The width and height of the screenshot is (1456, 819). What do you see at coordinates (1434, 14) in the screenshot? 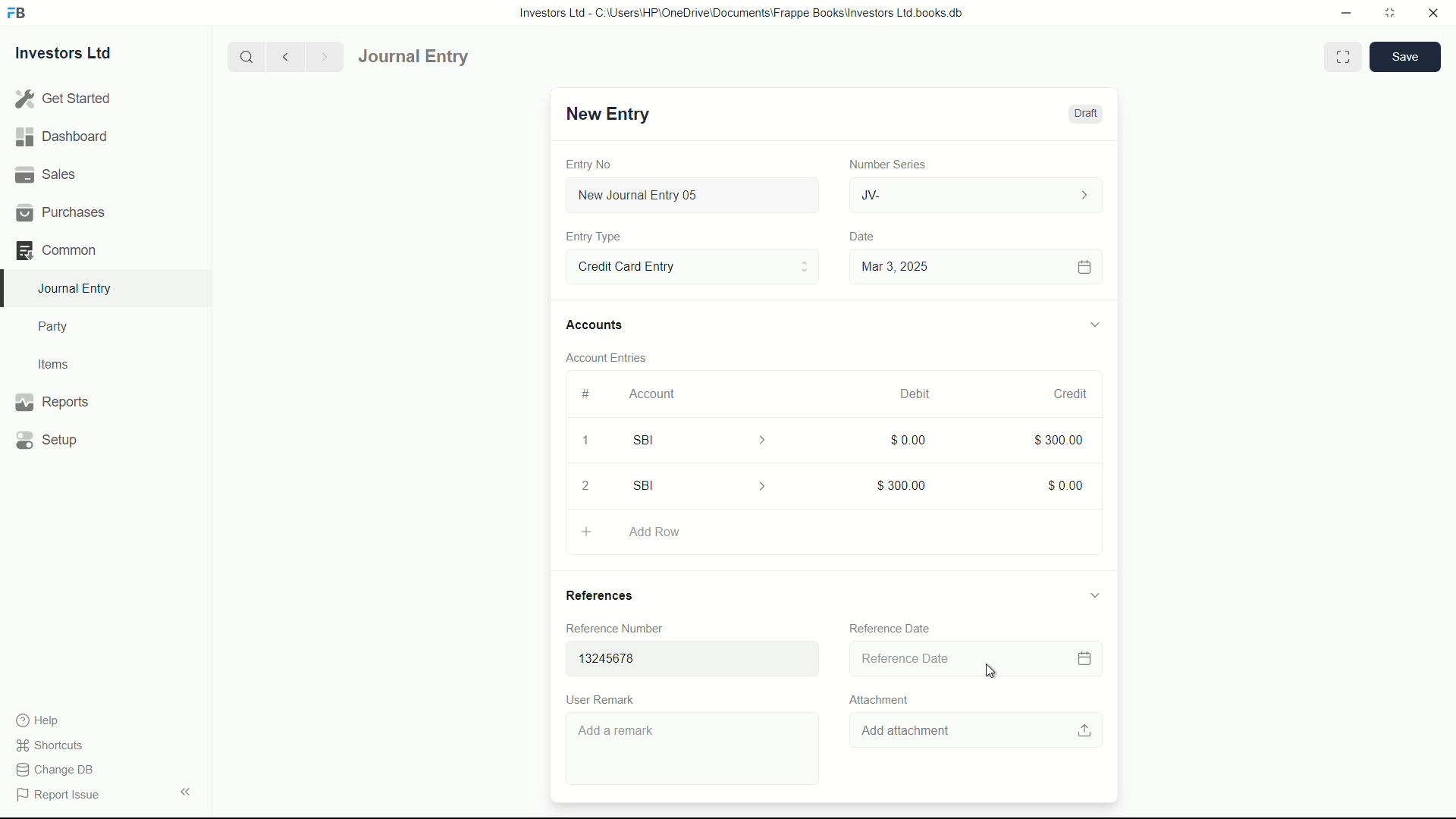
I see `close` at bounding box center [1434, 14].